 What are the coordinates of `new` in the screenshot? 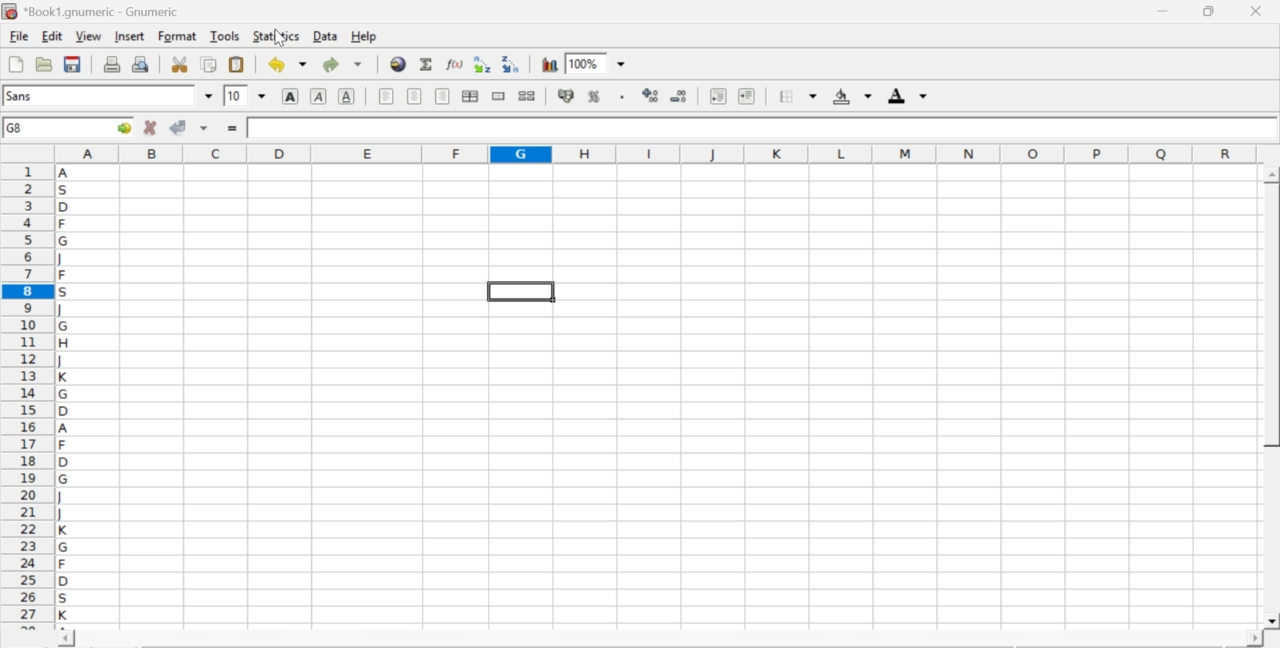 It's located at (15, 64).